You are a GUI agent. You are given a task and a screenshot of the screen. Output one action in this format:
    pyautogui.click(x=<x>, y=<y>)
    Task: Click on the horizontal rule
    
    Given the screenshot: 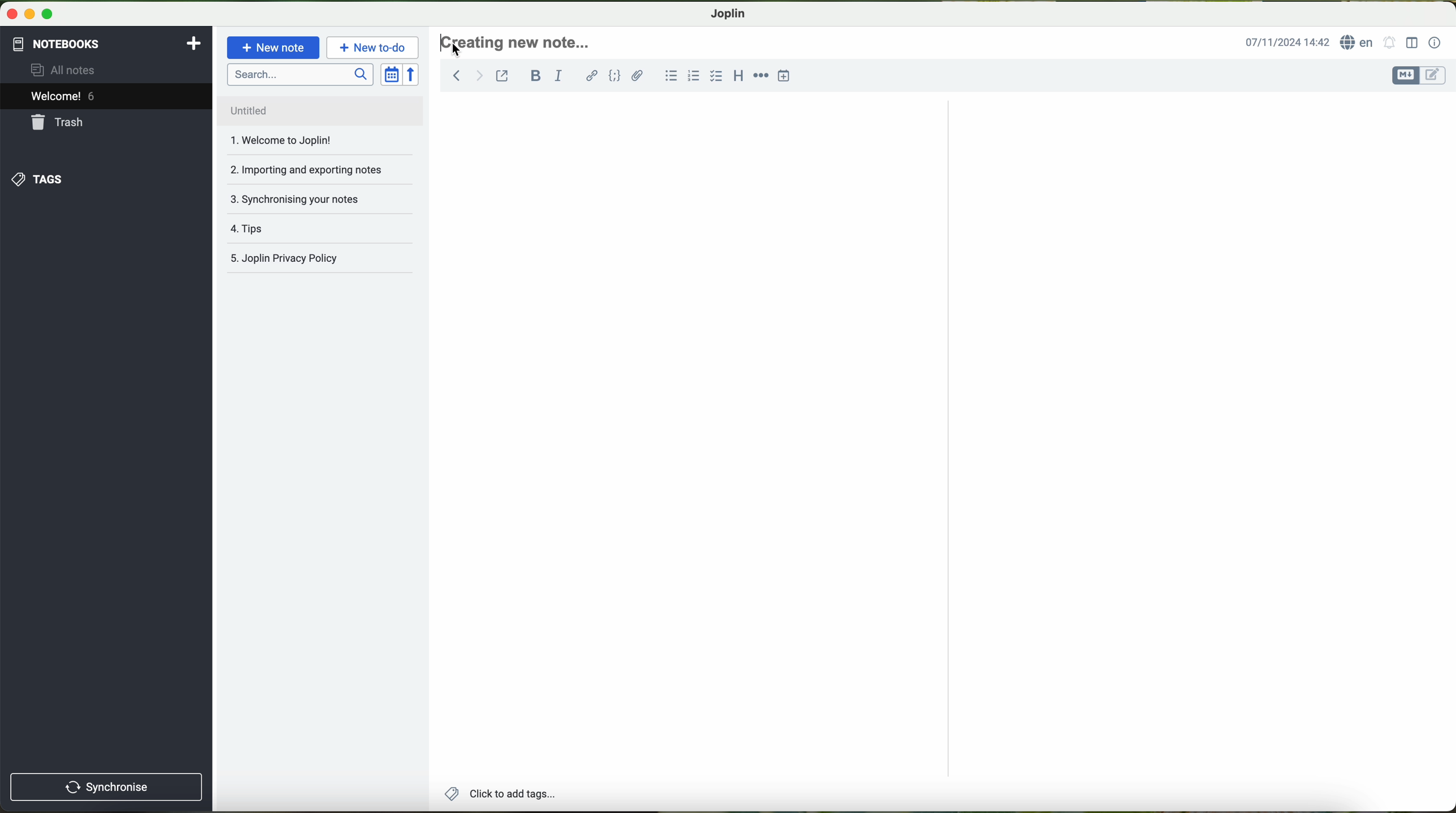 What is the action you would take?
    pyautogui.click(x=761, y=76)
    